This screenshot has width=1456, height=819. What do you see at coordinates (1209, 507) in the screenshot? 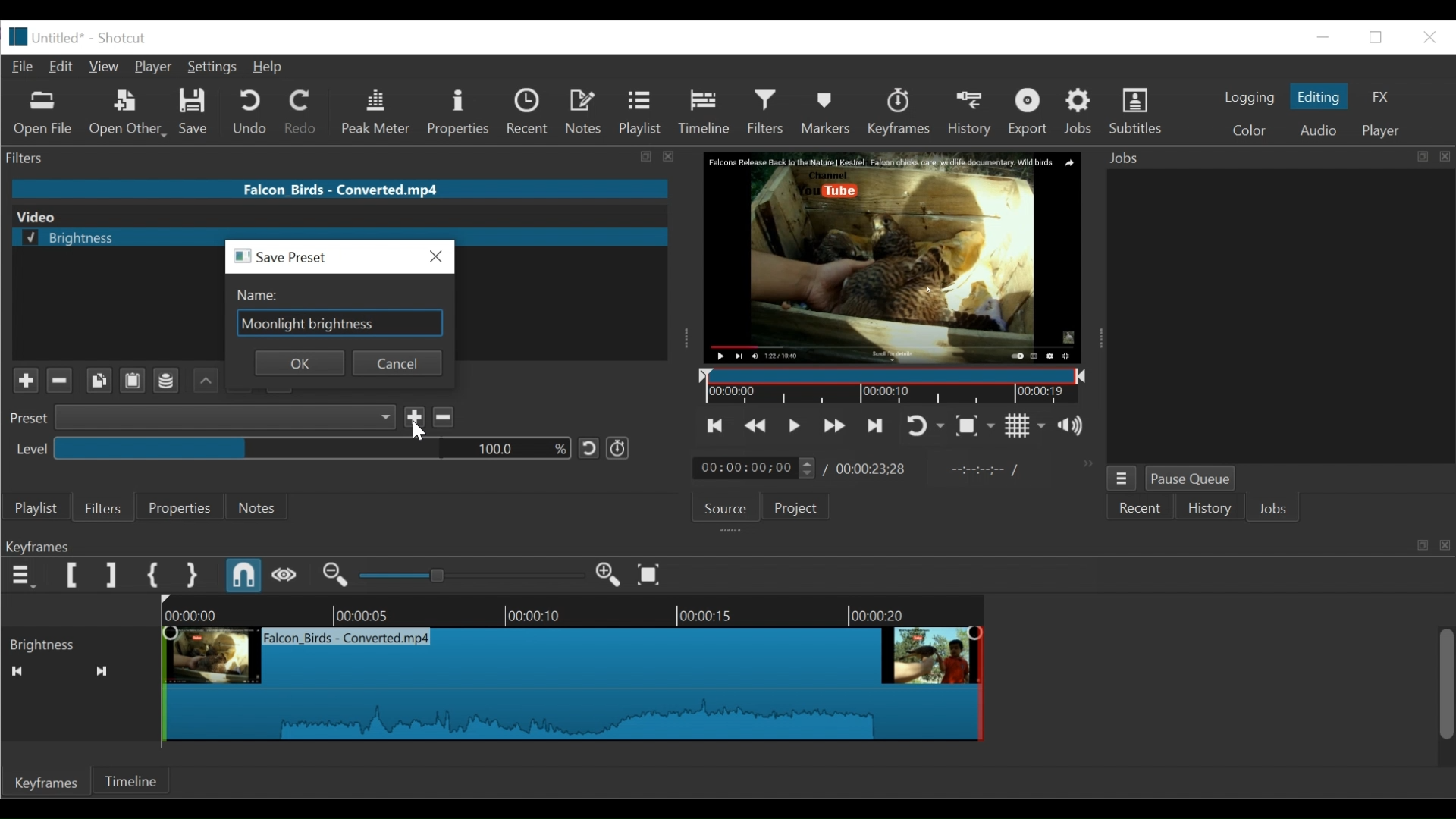
I see `History` at bounding box center [1209, 507].